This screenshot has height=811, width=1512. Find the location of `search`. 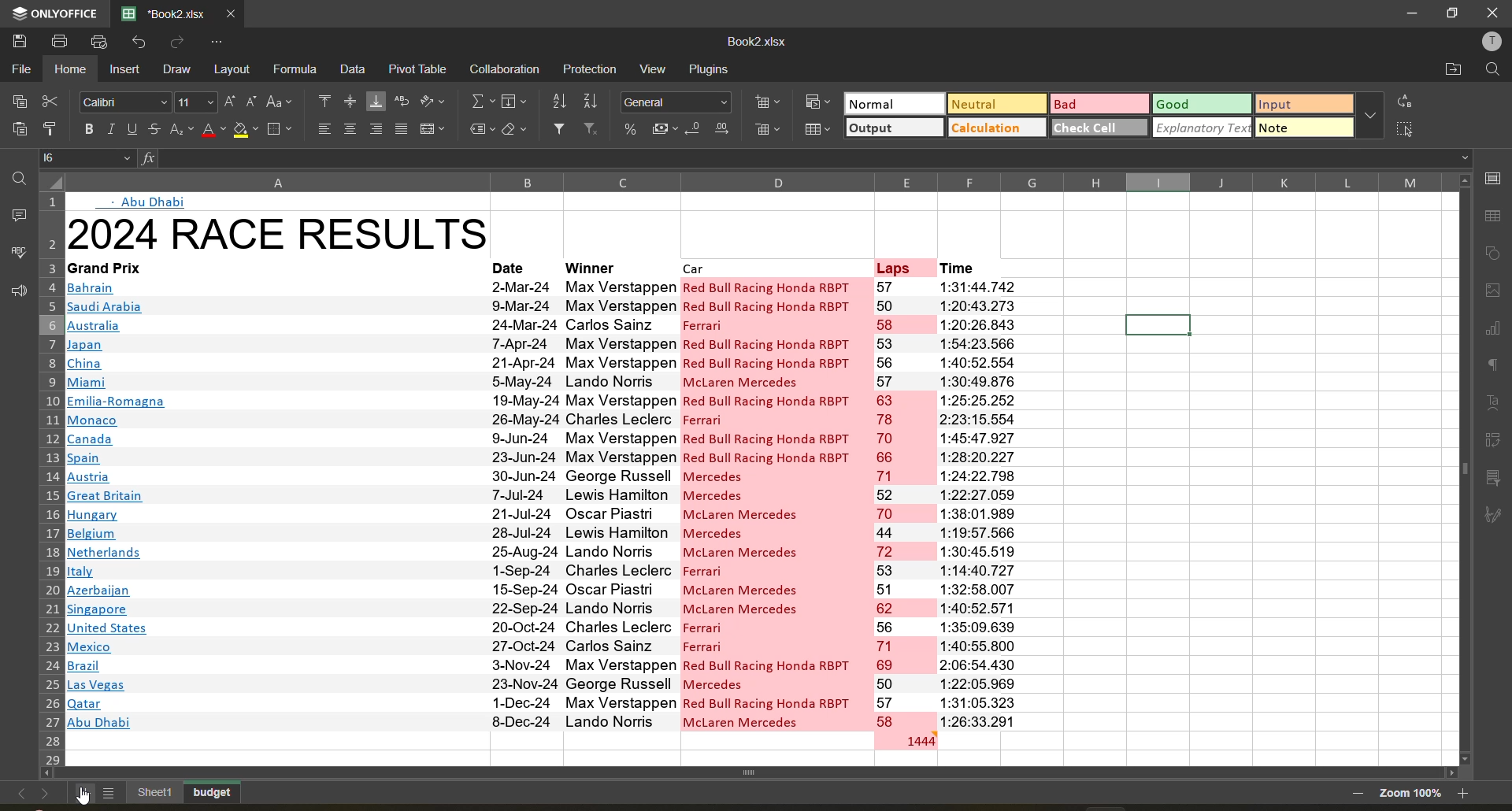

search is located at coordinates (19, 178).